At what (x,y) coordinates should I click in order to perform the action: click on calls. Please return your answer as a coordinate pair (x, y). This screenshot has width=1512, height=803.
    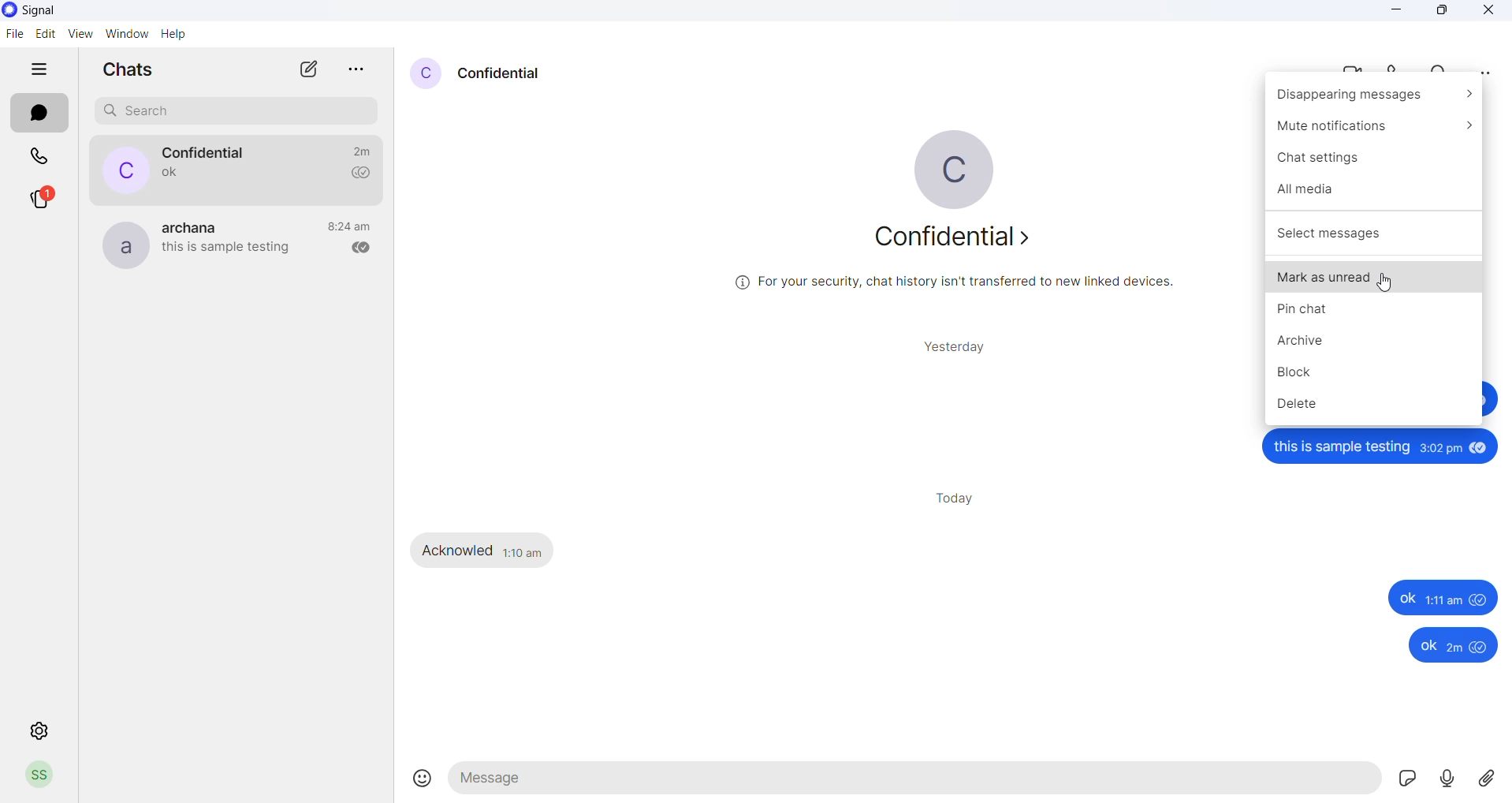
    Looking at the image, I should click on (40, 155).